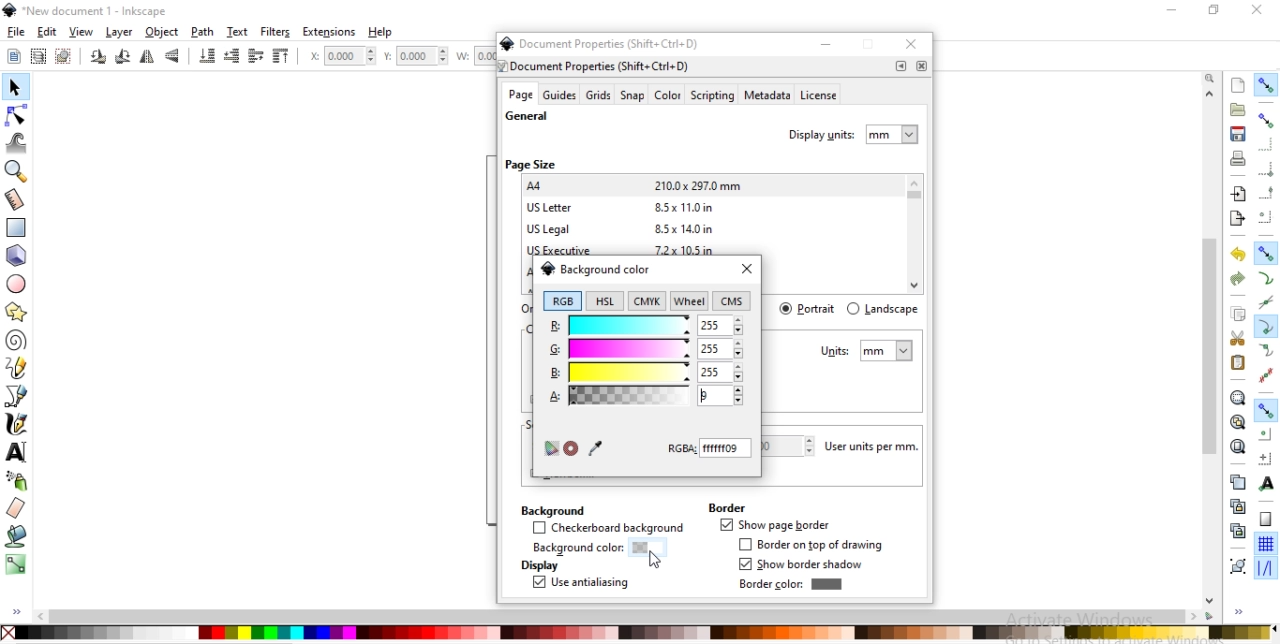  What do you see at coordinates (18, 171) in the screenshot?
I see `zoom in or out` at bounding box center [18, 171].